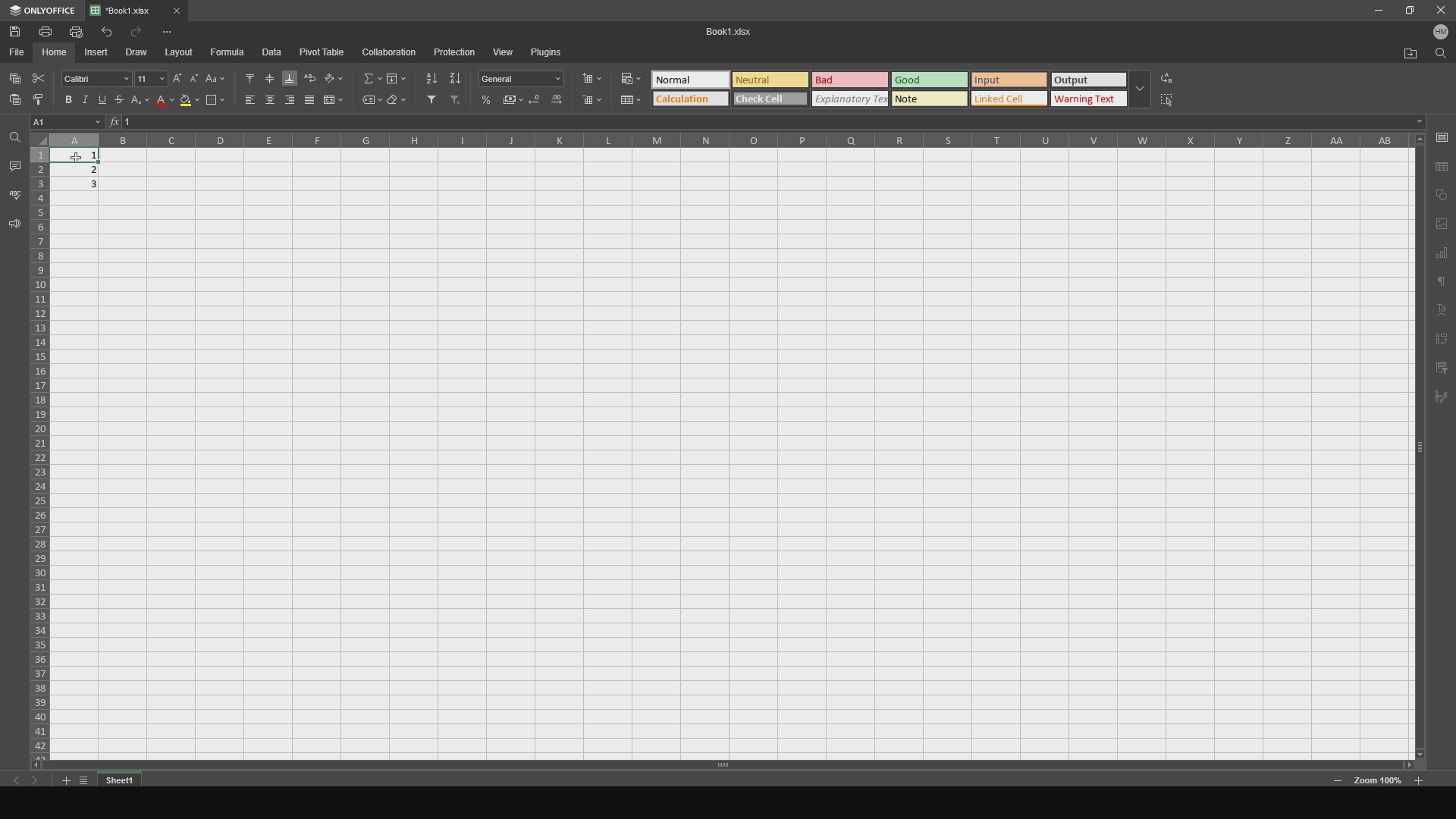  What do you see at coordinates (14, 165) in the screenshot?
I see `comments` at bounding box center [14, 165].